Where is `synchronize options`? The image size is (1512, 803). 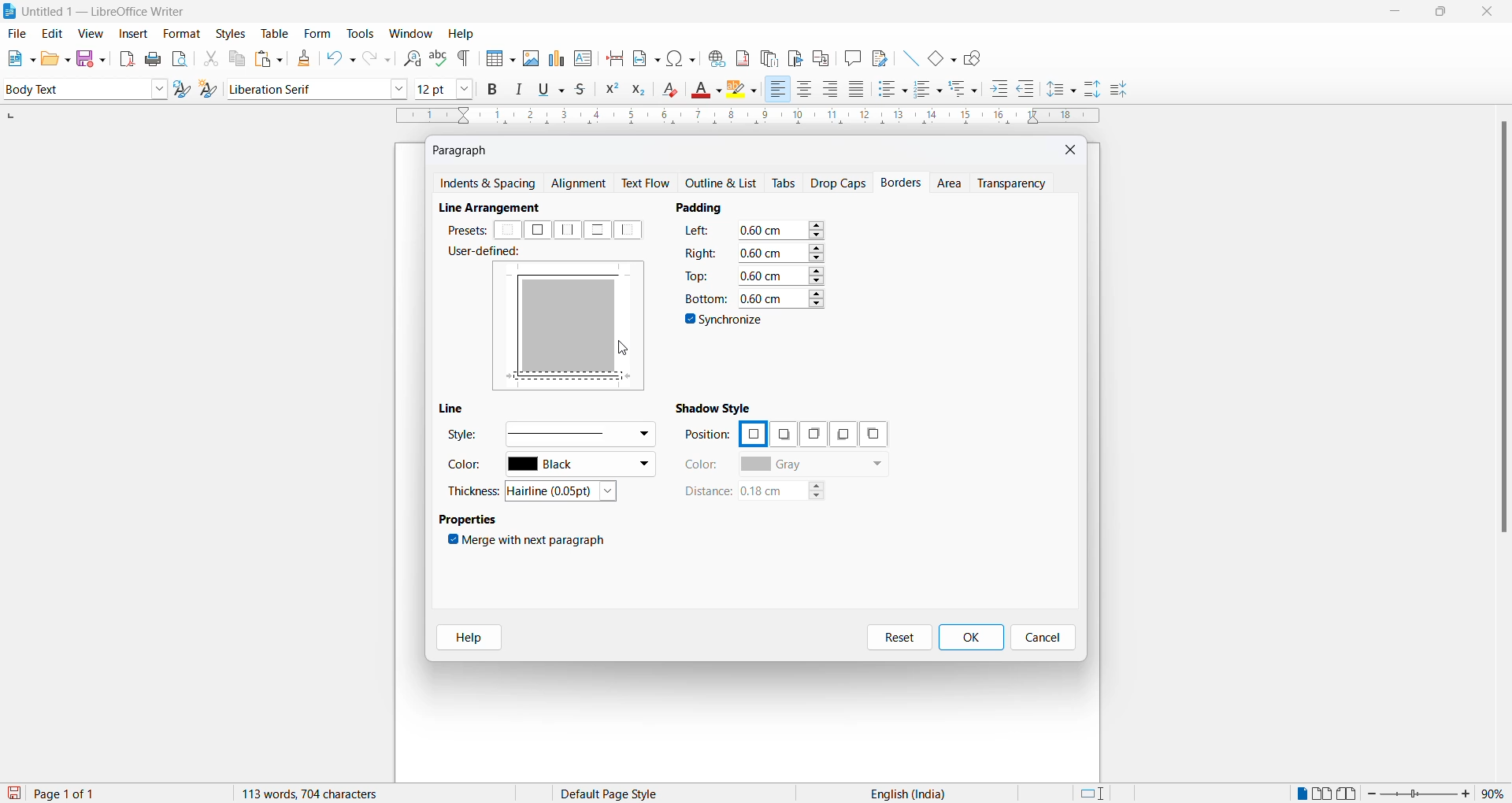 synchronize options is located at coordinates (726, 322).